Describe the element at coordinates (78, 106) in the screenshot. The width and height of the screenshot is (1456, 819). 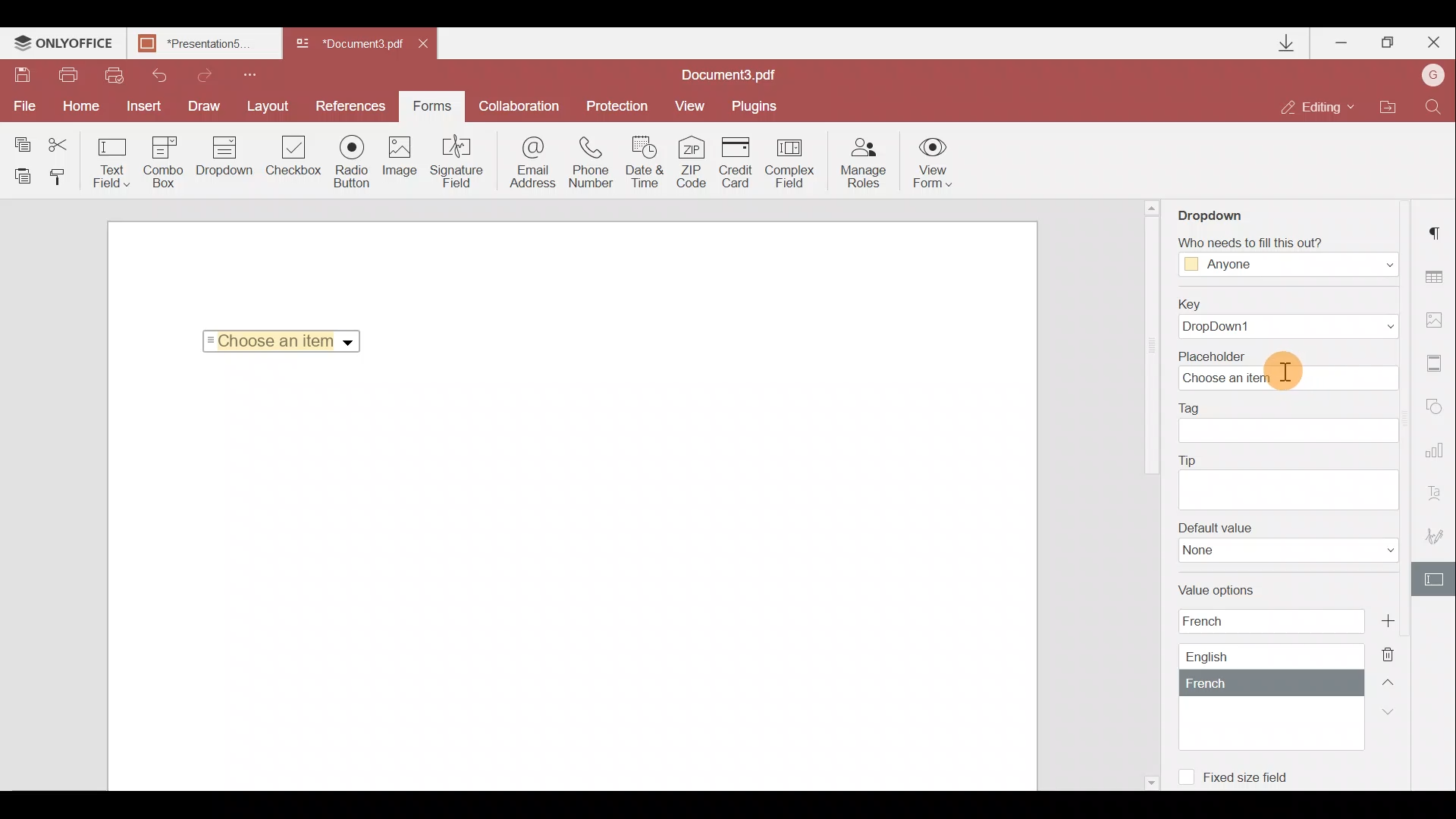
I see `Home` at that location.